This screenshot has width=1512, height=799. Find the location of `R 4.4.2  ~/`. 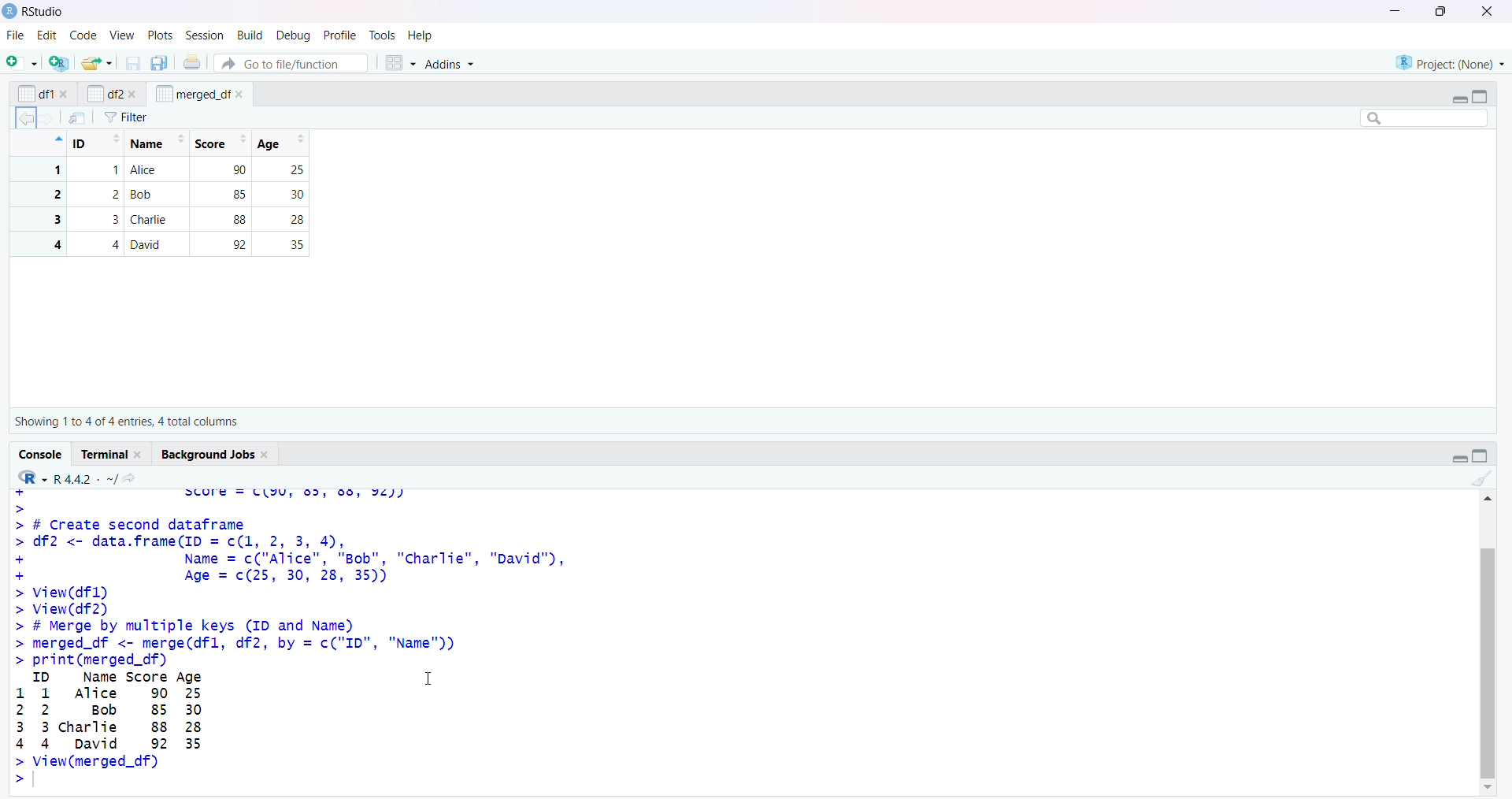

R 4.4.2  ~/ is located at coordinates (85, 479).